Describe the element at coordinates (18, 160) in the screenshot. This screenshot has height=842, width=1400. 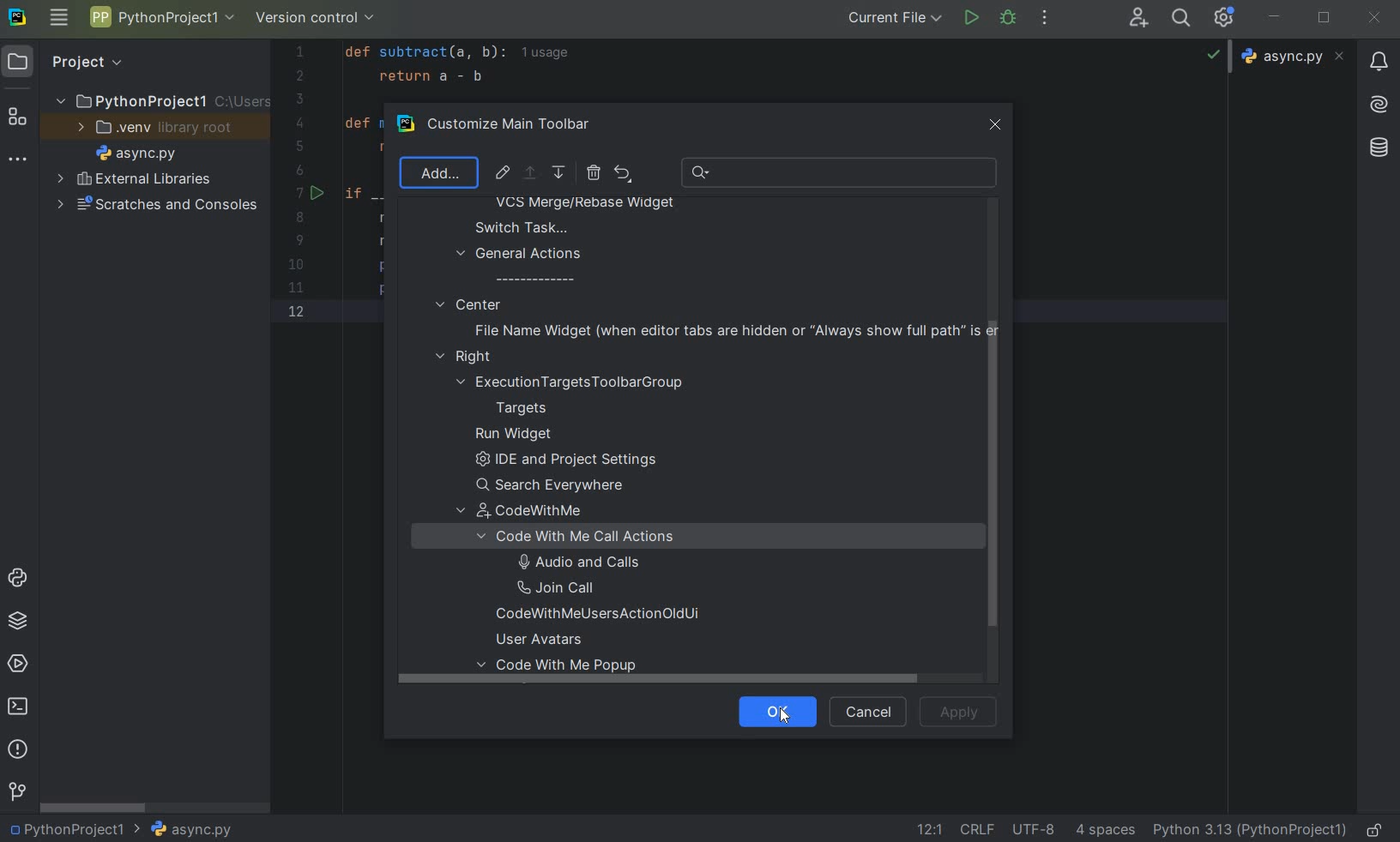
I see `MORE TOOL WINDOWS` at that location.